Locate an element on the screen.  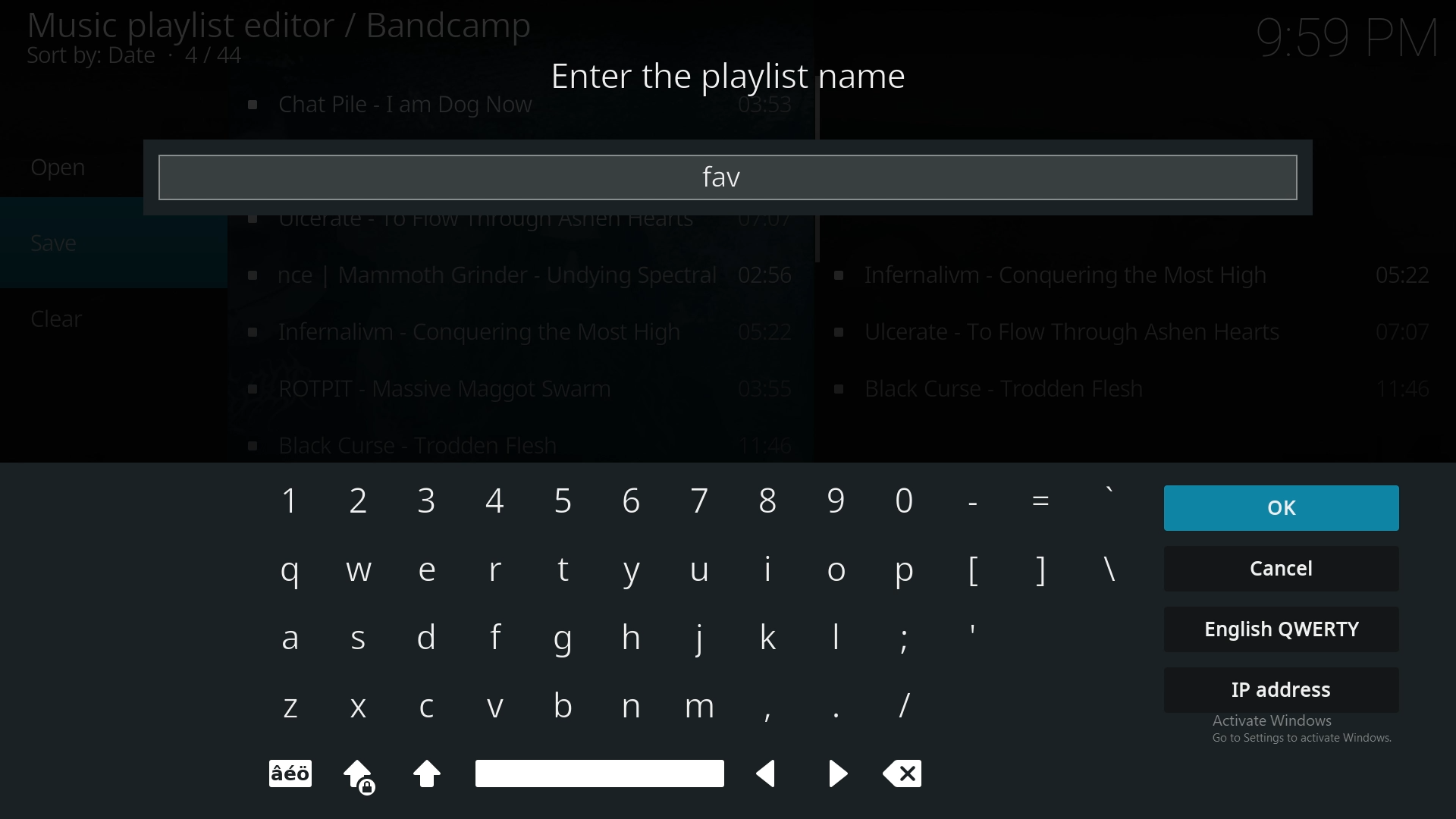
ip address is located at coordinates (1284, 689).